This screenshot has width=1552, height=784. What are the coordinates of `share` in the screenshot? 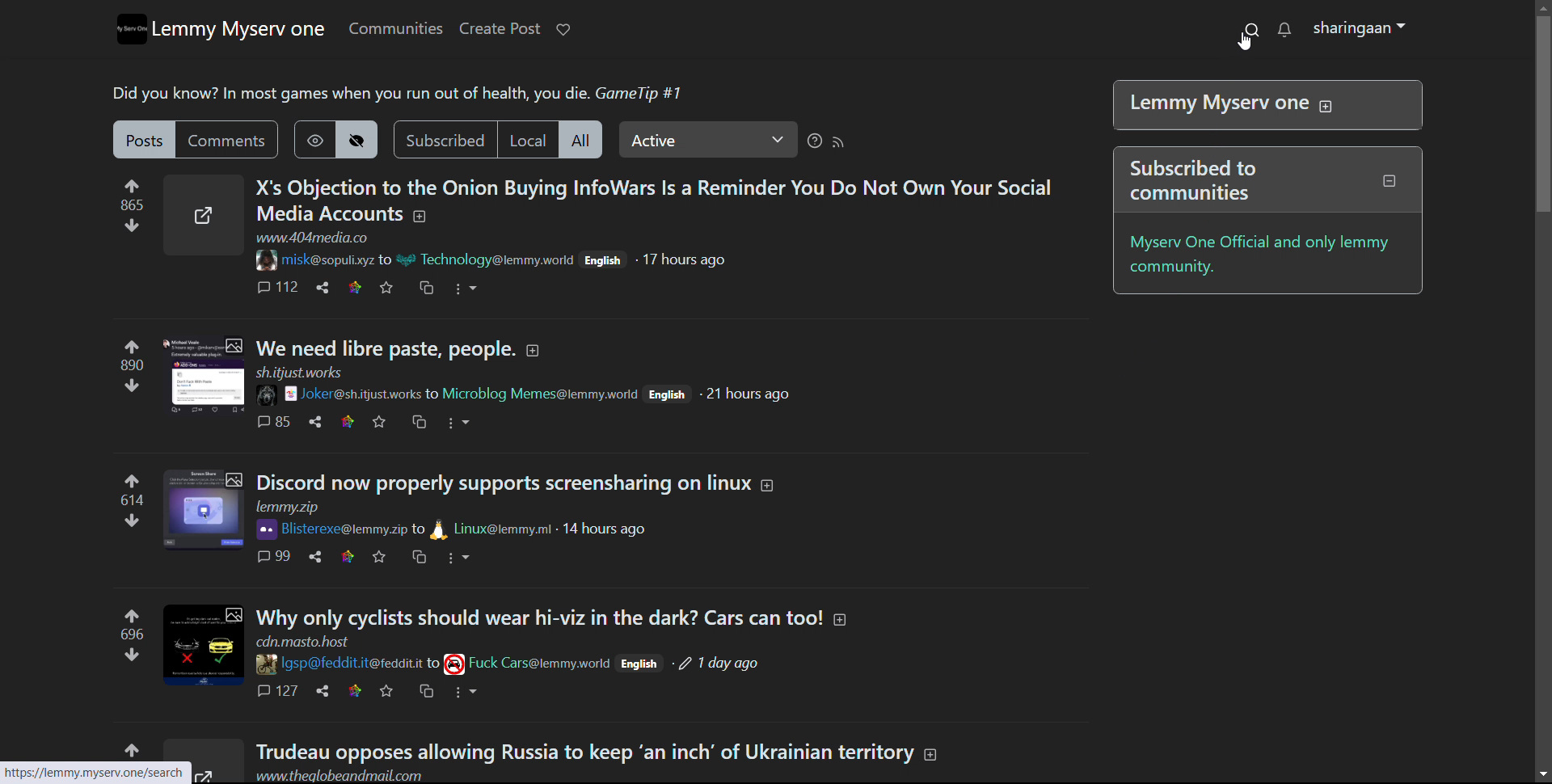 It's located at (314, 556).